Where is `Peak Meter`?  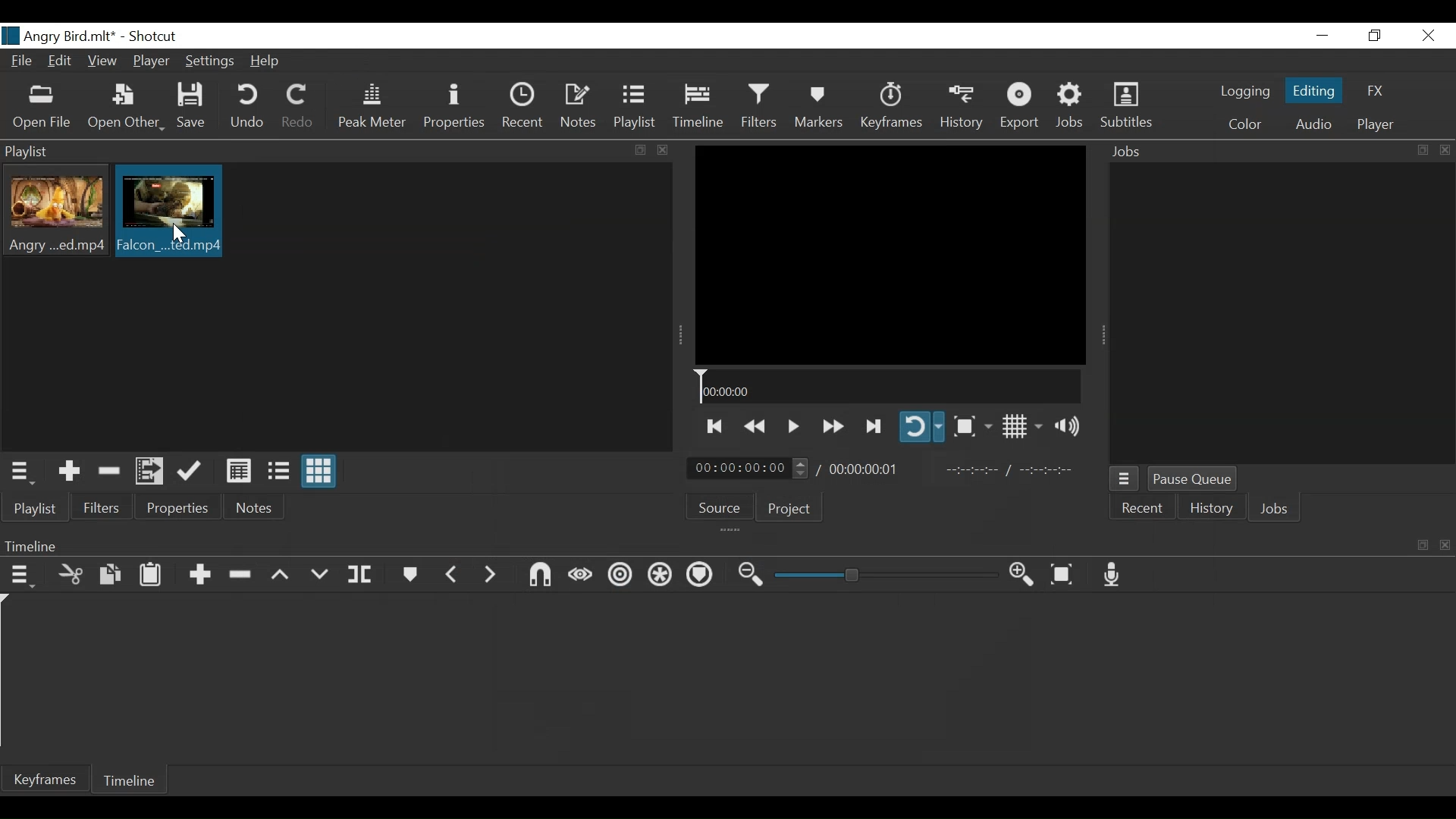
Peak Meter is located at coordinates (375, 107).